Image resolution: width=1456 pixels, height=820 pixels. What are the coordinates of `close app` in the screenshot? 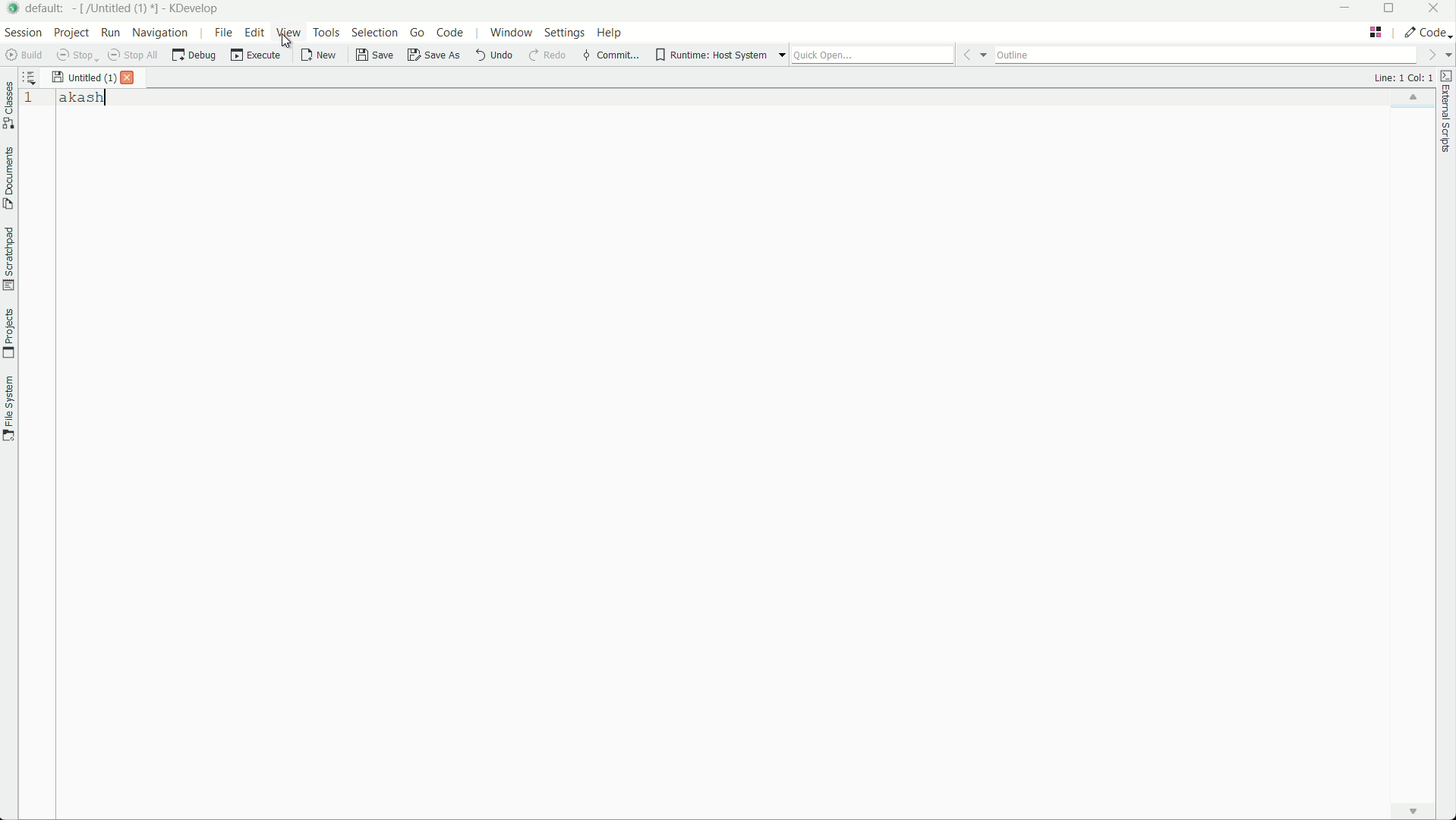 It's located at (1439, 9).